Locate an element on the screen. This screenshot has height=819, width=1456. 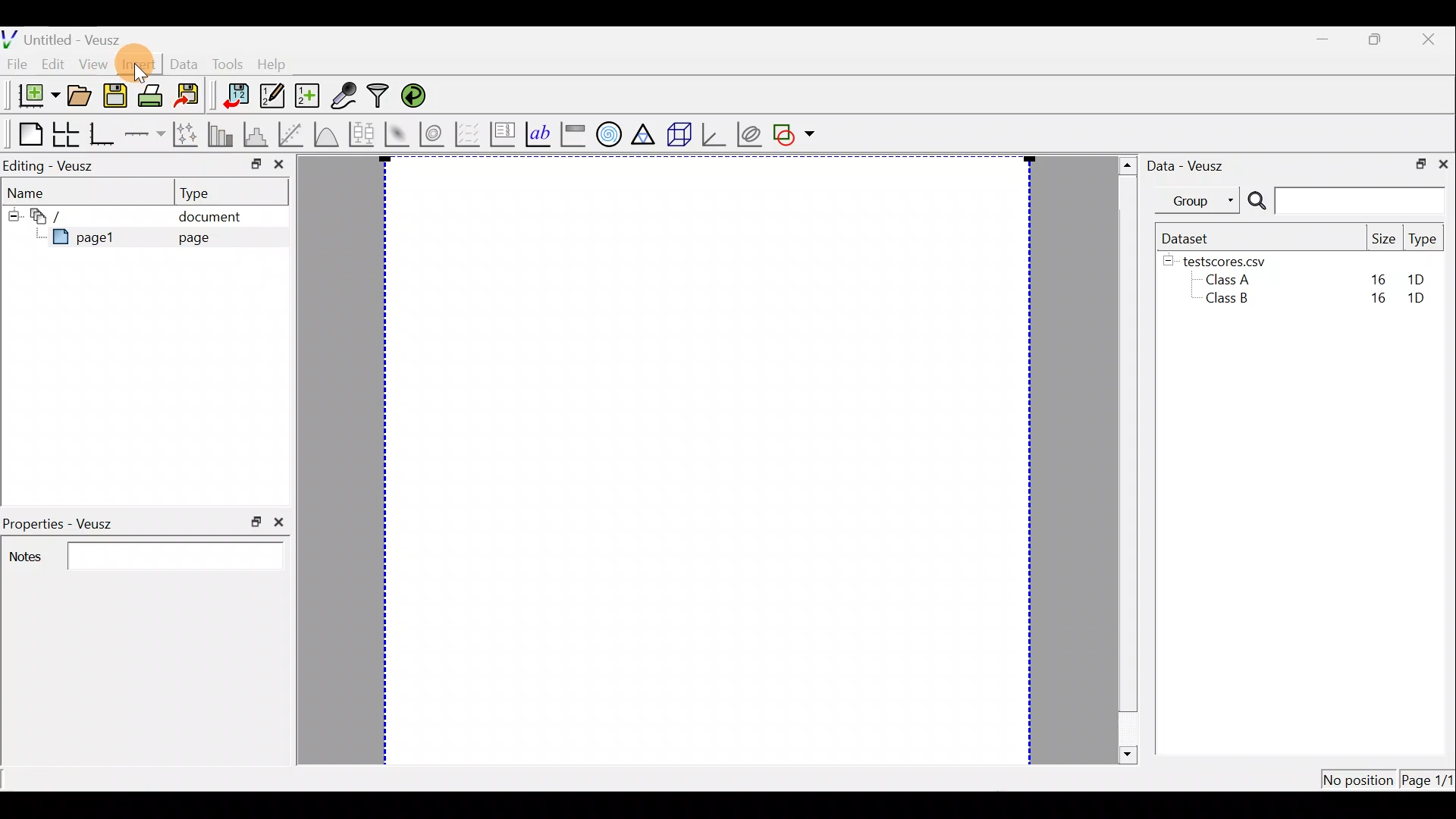
Histogram of a dataset is located at coordinates (258, 134).